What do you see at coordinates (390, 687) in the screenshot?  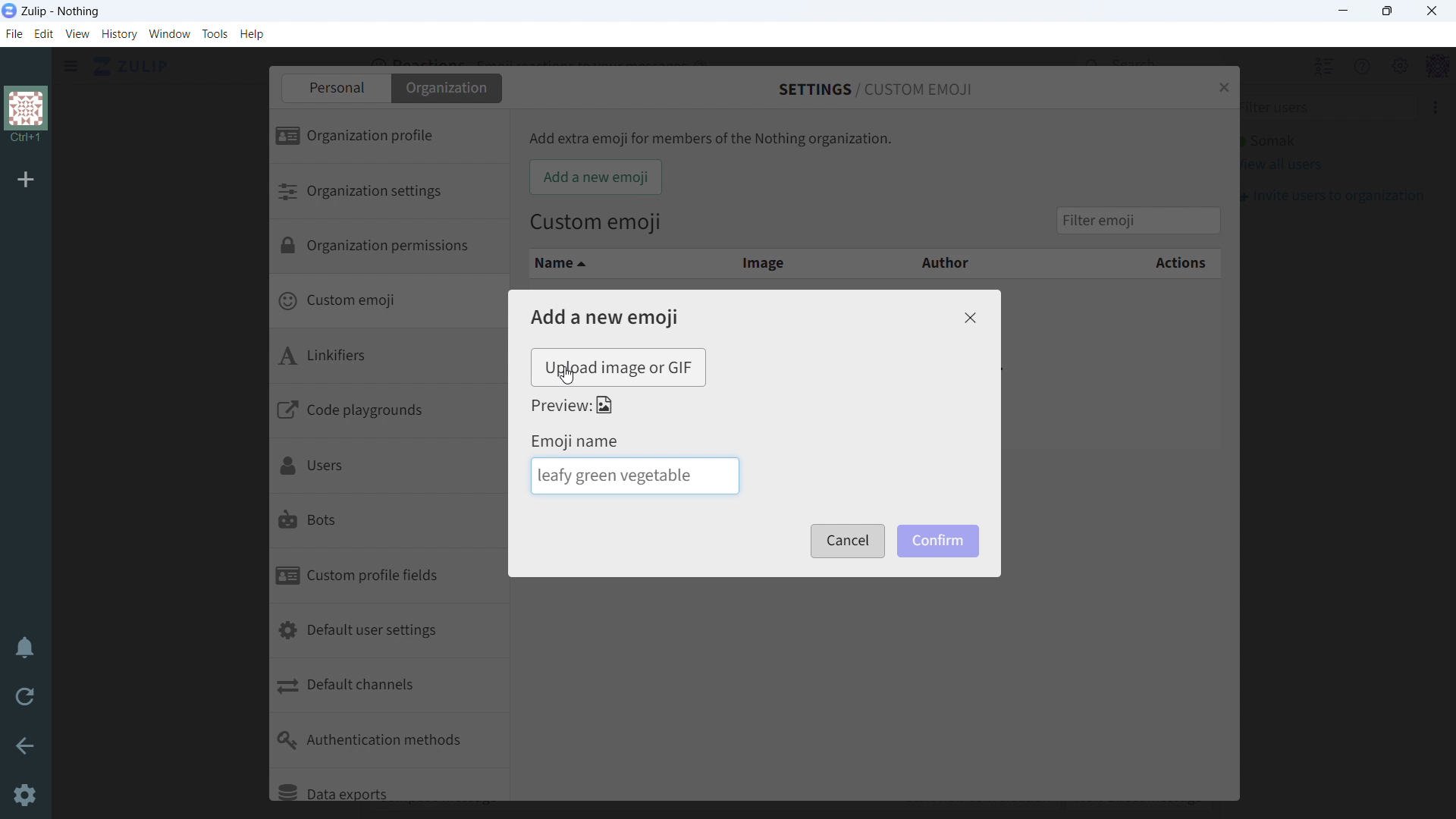 I see `default channels` at bounding box center [390, 687].